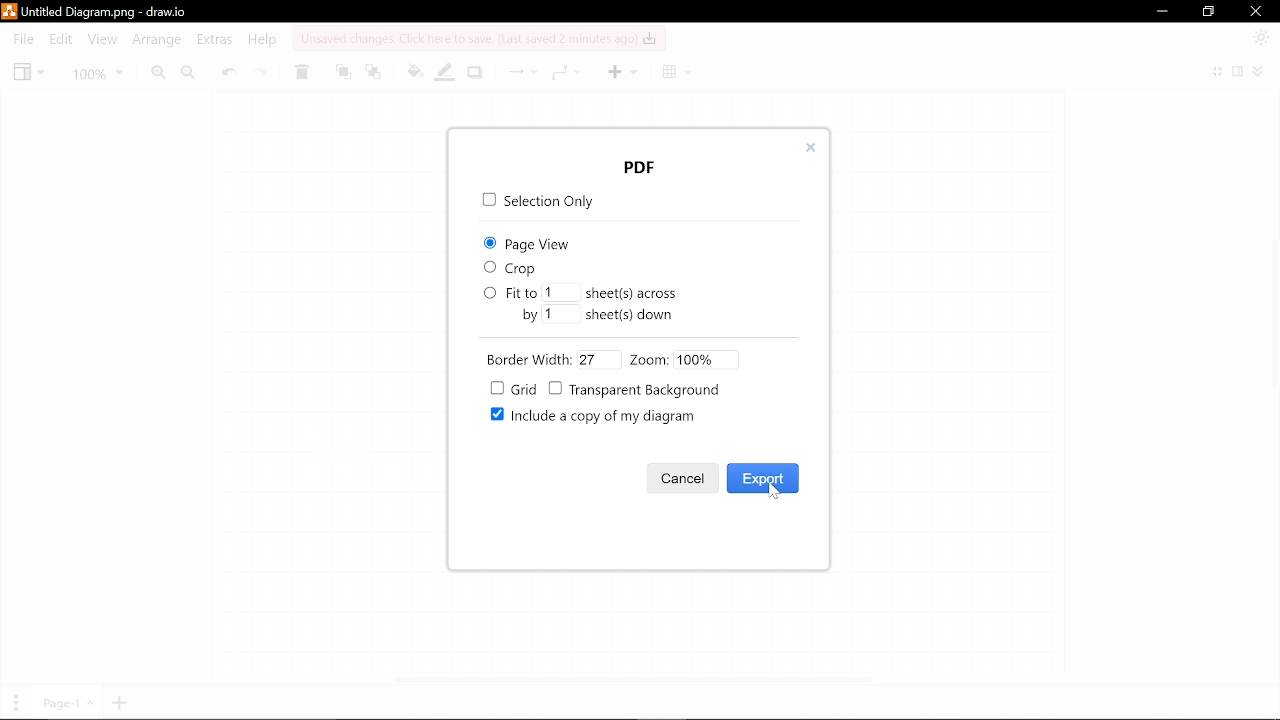 Image resolution: width=1280 pixels, height=720 pixels. Describe the element at coordinates (527, 243) in the screenshot. I see `Page view` at that location.